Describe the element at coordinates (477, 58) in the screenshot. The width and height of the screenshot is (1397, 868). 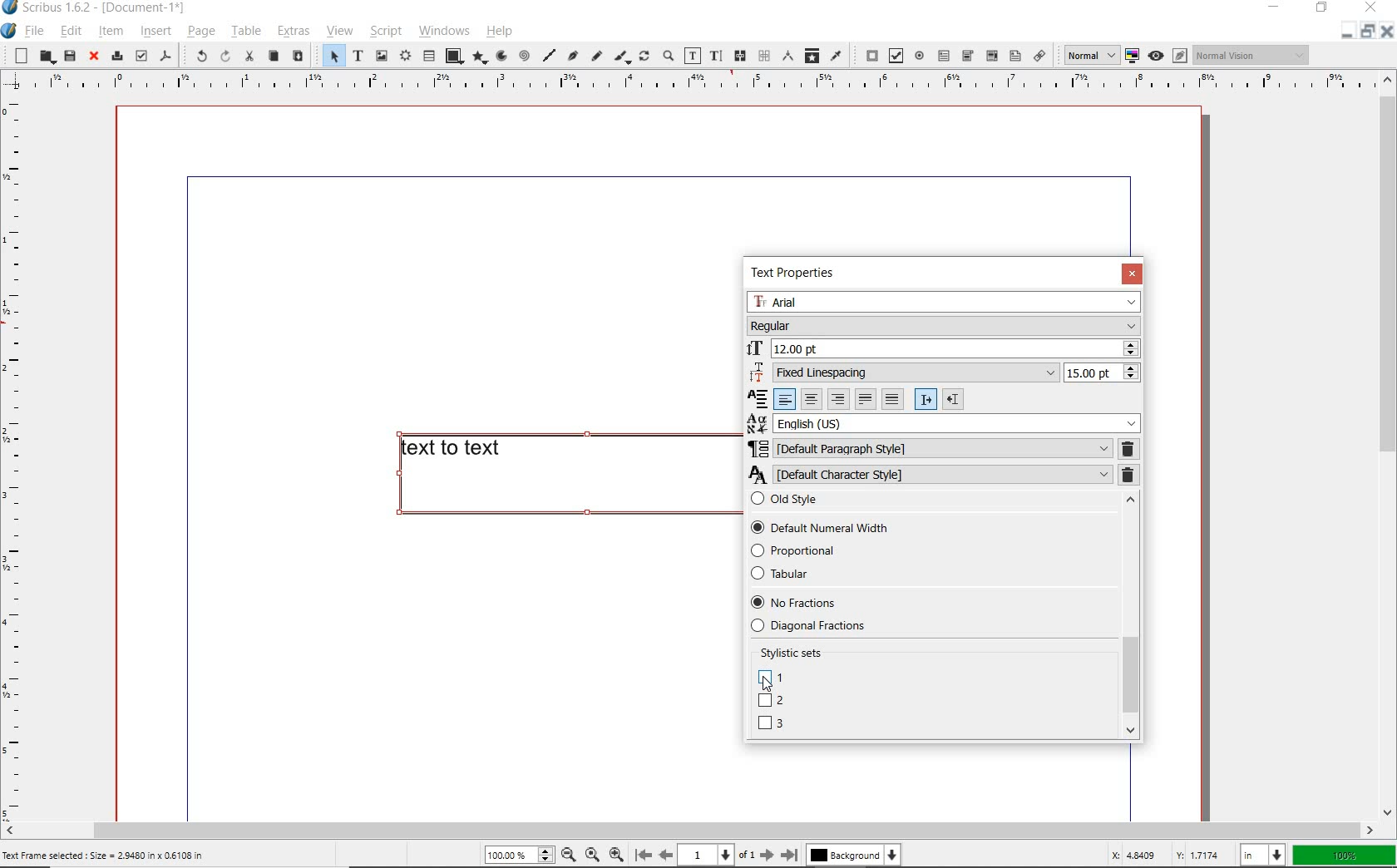
I see `polygon` at that location.